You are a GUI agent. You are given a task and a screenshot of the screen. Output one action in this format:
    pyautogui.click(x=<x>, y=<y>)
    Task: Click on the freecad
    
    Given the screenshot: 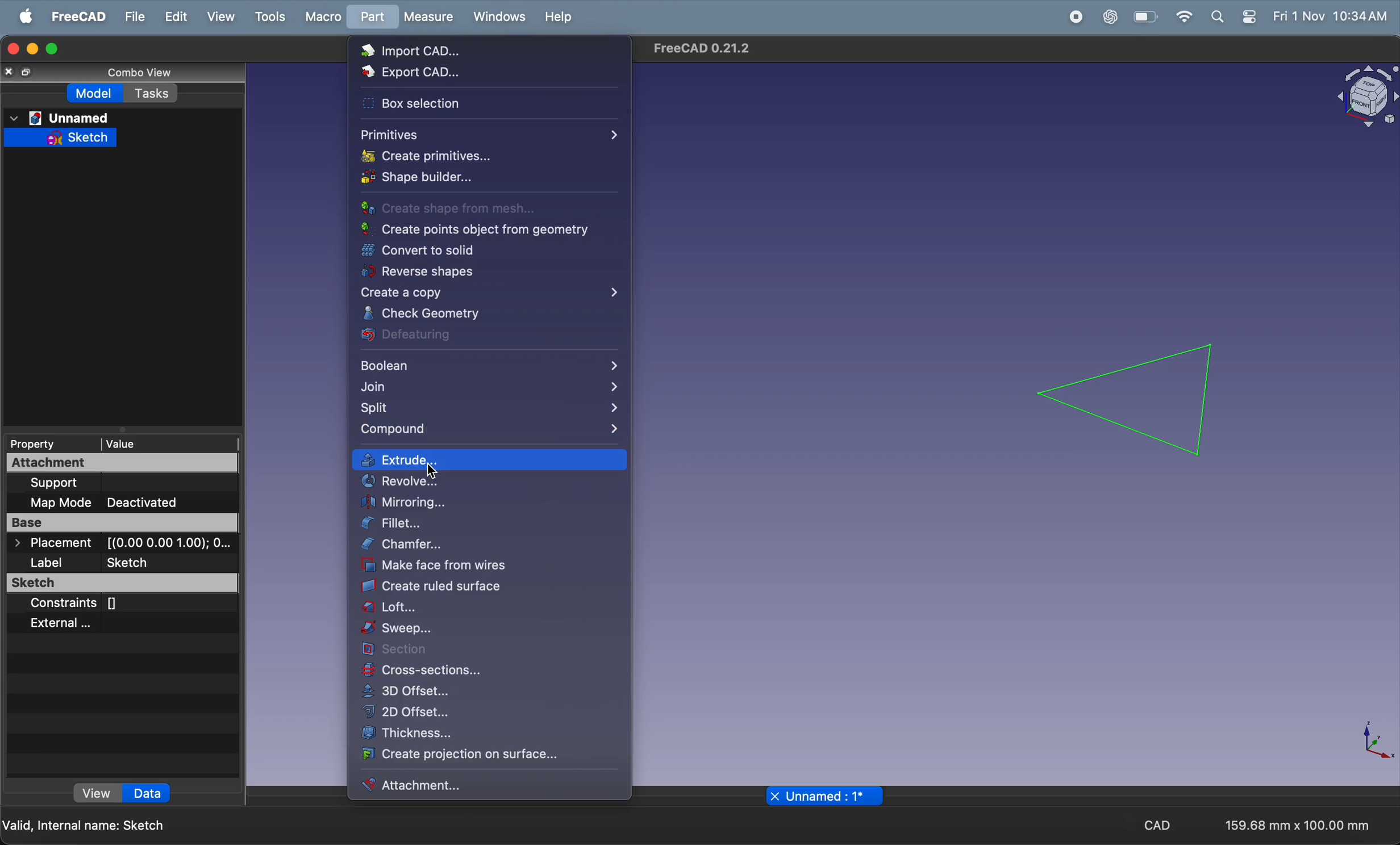 What is the action you would take?
    pyautogui.click(x=78, y=16)
    